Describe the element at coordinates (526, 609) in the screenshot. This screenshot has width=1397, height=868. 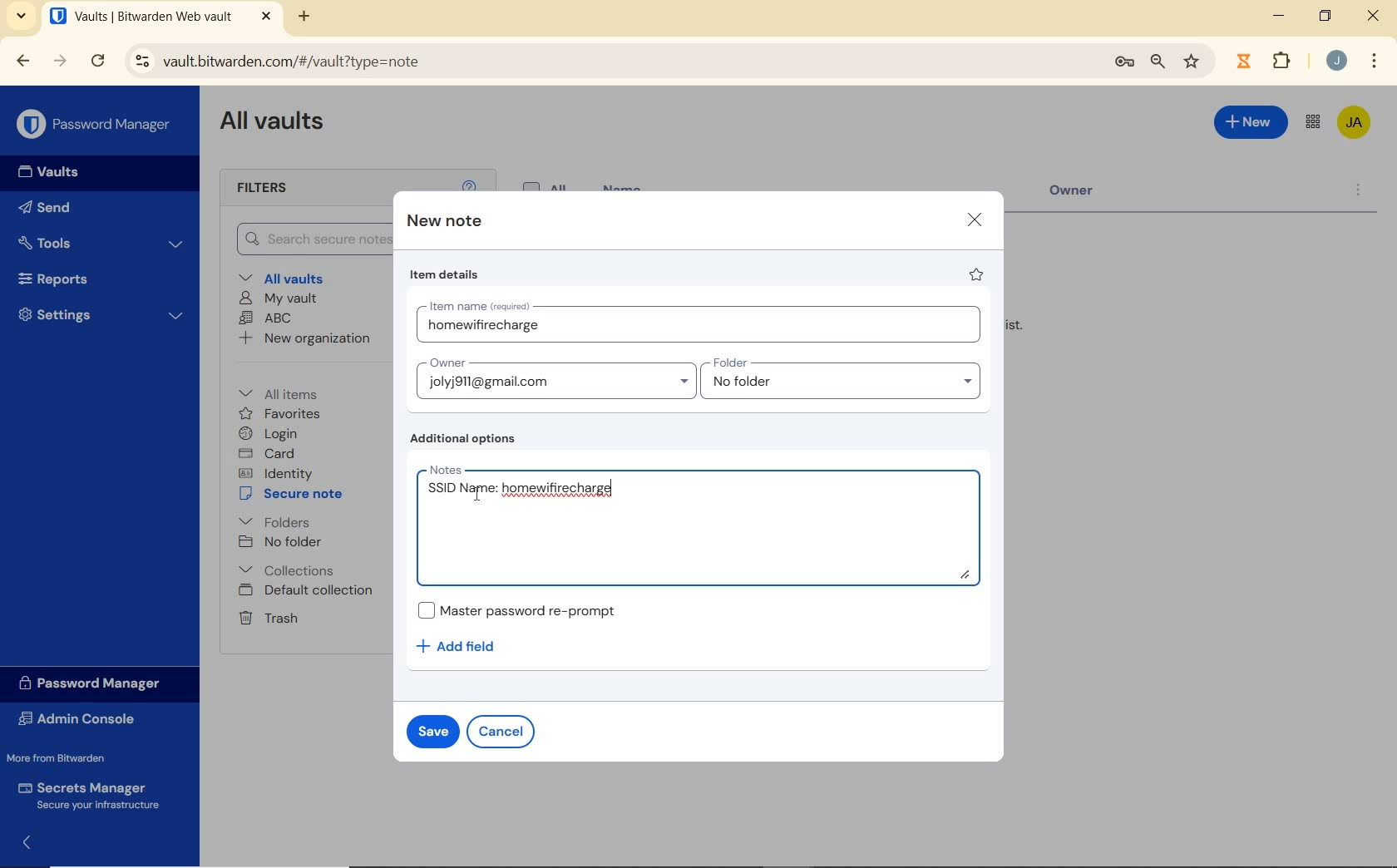
I see `Master password re-prompt` at that location.